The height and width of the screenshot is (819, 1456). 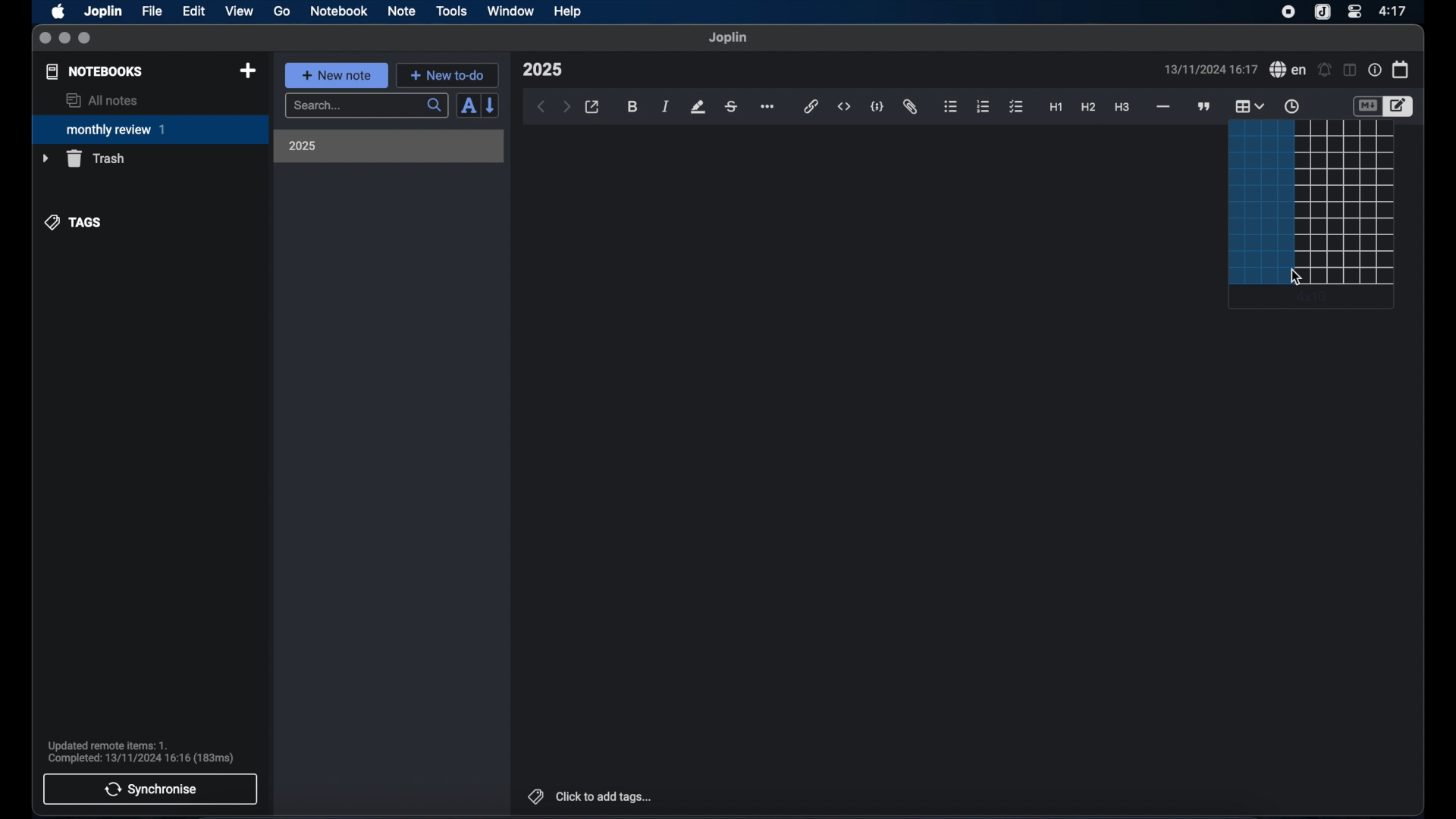 What do you see at coordinates (86, 39) in the screenshot?
I see `maximize` at bounding box center [86, 39].